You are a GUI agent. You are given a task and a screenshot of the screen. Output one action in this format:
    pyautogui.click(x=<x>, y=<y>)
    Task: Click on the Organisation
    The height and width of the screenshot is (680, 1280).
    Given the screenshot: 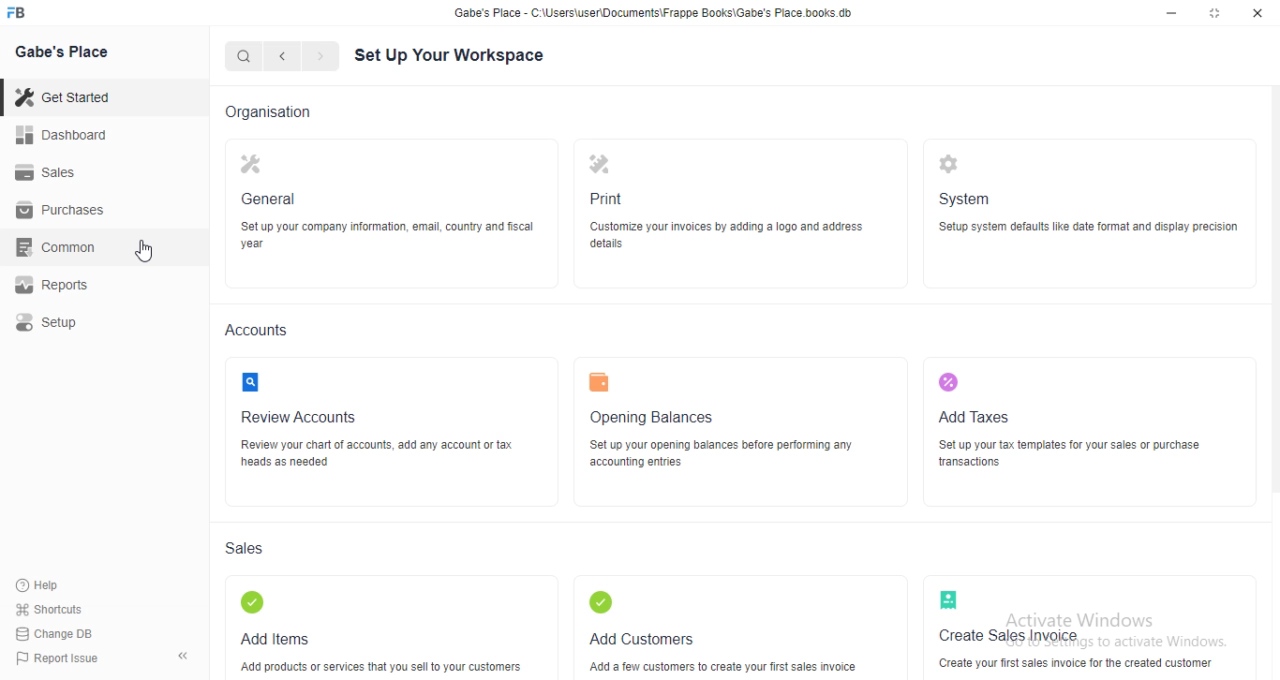 What is the action you would take?
    pyautogui.click(x=275, y=114)
    